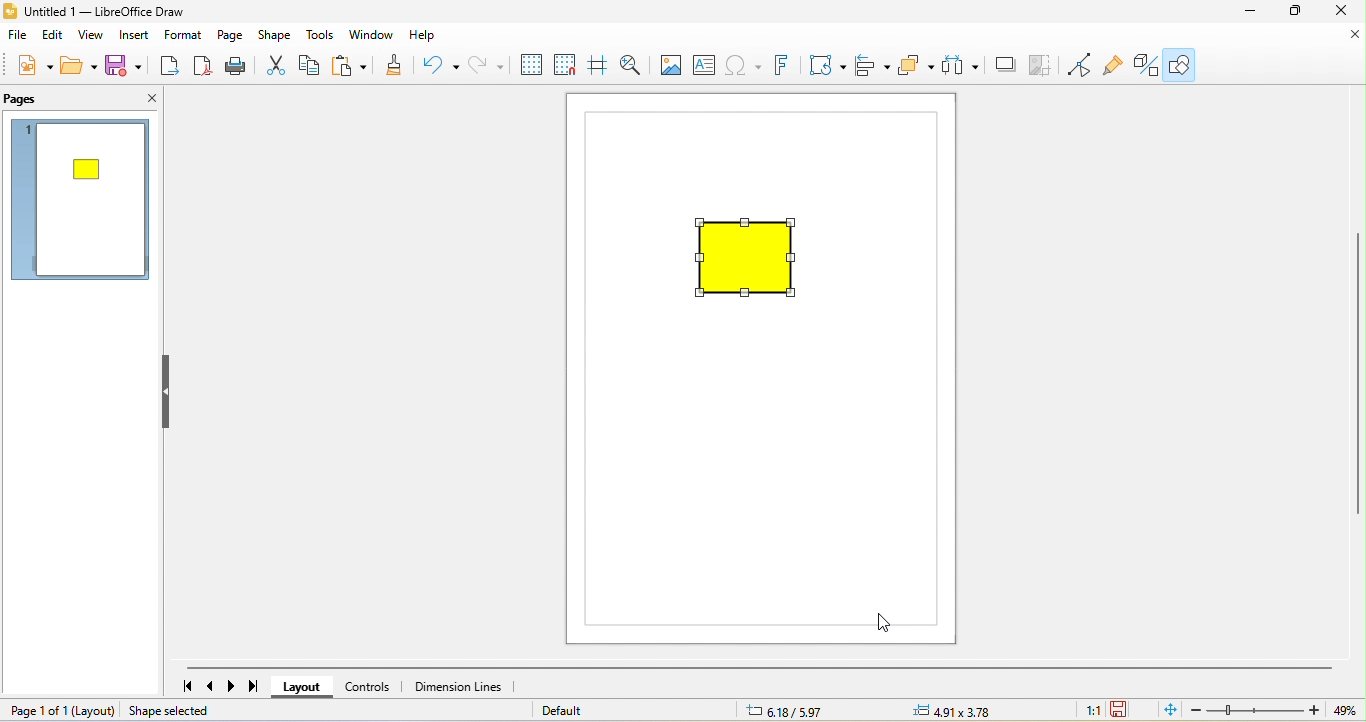 This screenshot has height=722, width=1366. What do you see at coordinates (563, 67) in the screenshot?
I see `snap to grid` at bounding box center [563, 67].